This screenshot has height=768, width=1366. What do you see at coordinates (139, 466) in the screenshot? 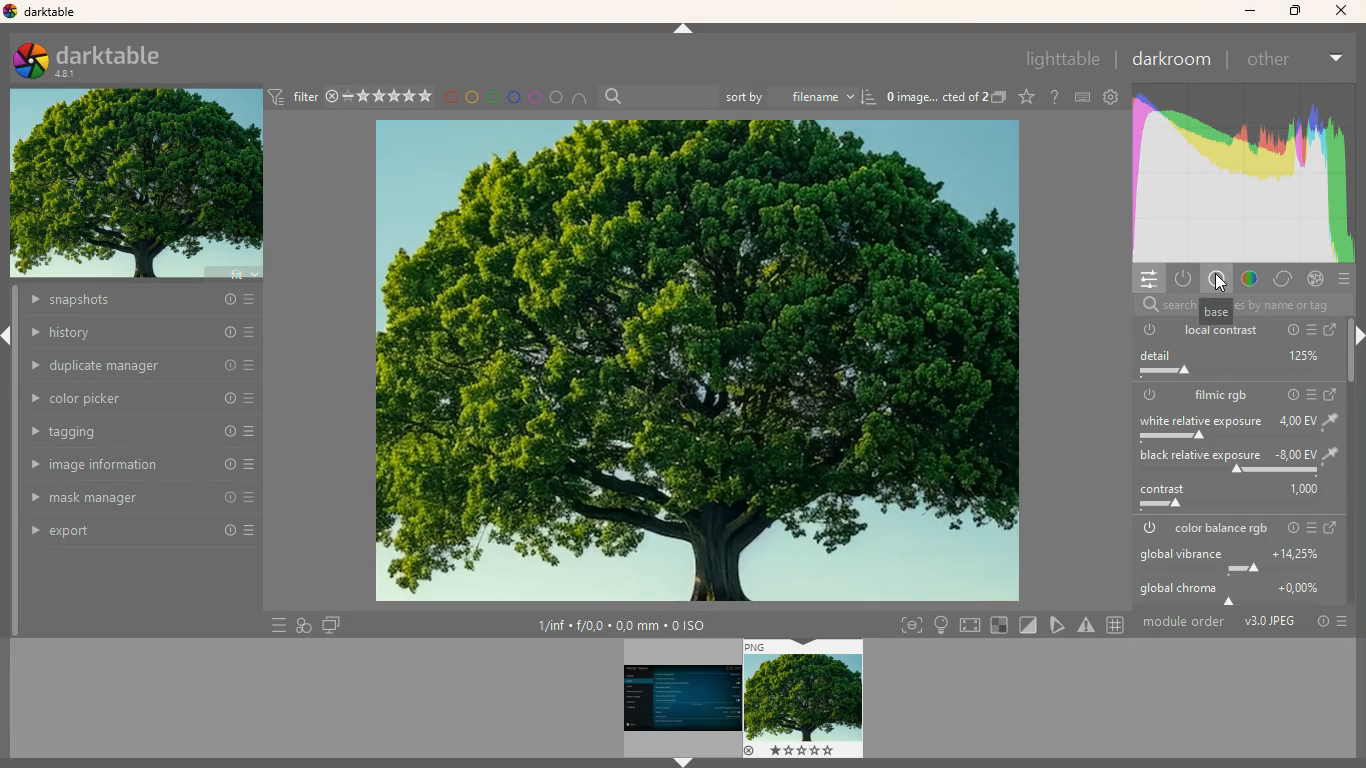
I see `image information` at bounding box center [139, 466].